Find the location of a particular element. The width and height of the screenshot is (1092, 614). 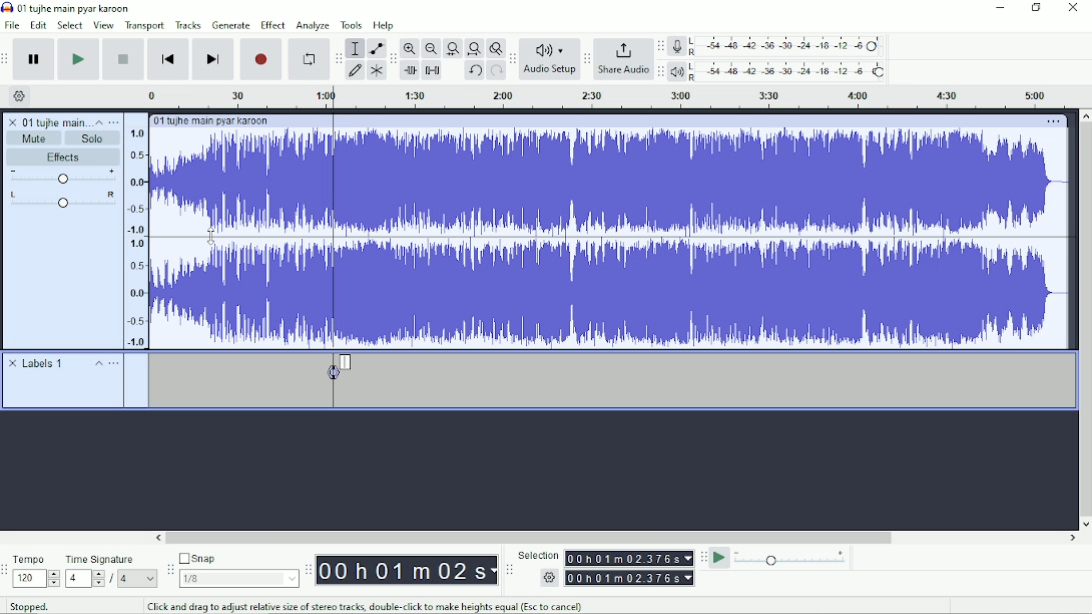

Click and drag to adjust relative size of stereo tracks, double-click to make heights equal. is located at coordinates (365, 606).